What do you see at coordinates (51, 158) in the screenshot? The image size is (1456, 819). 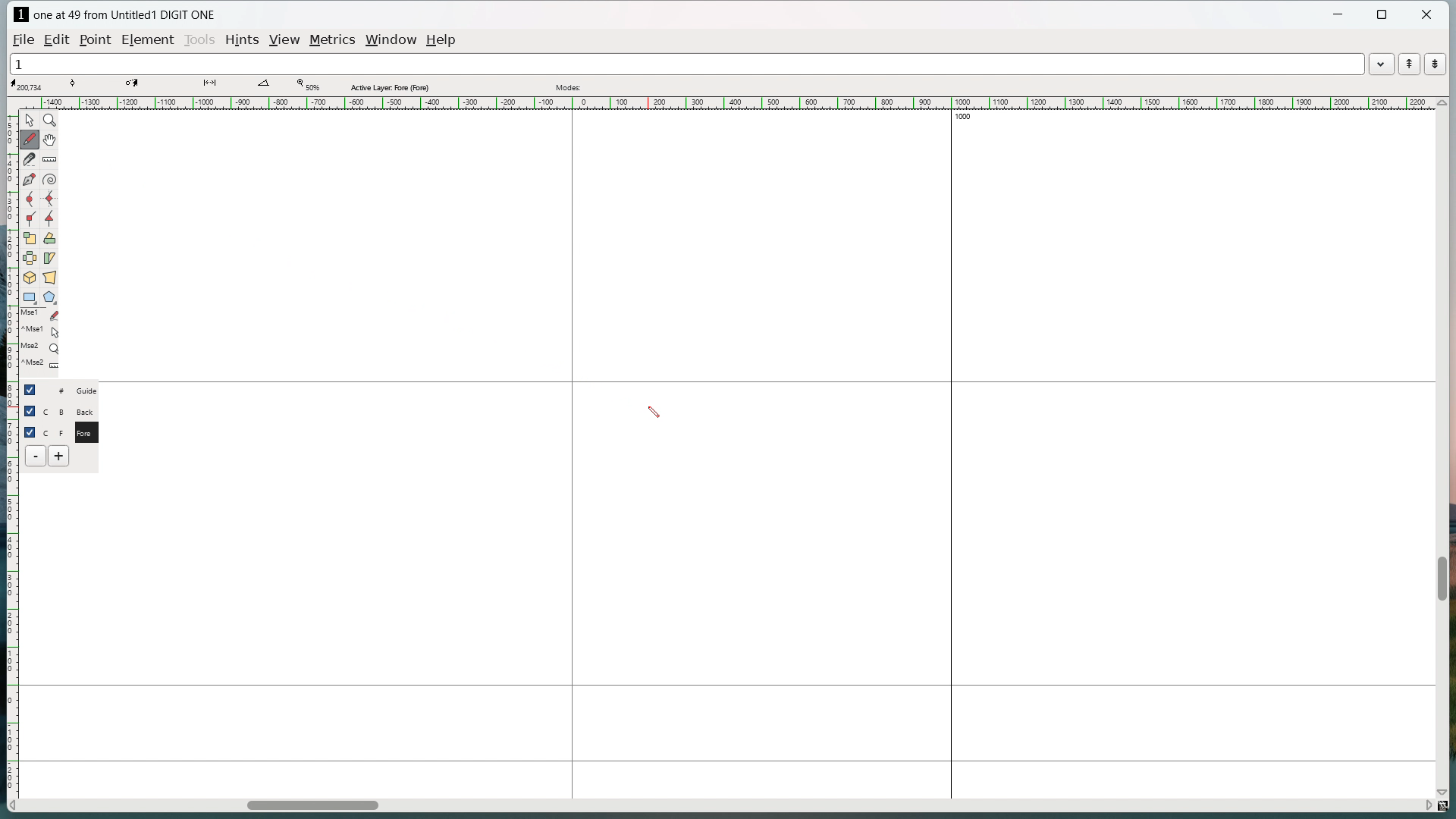 I see `measure distance or angle` at bounding box center [51, 158].